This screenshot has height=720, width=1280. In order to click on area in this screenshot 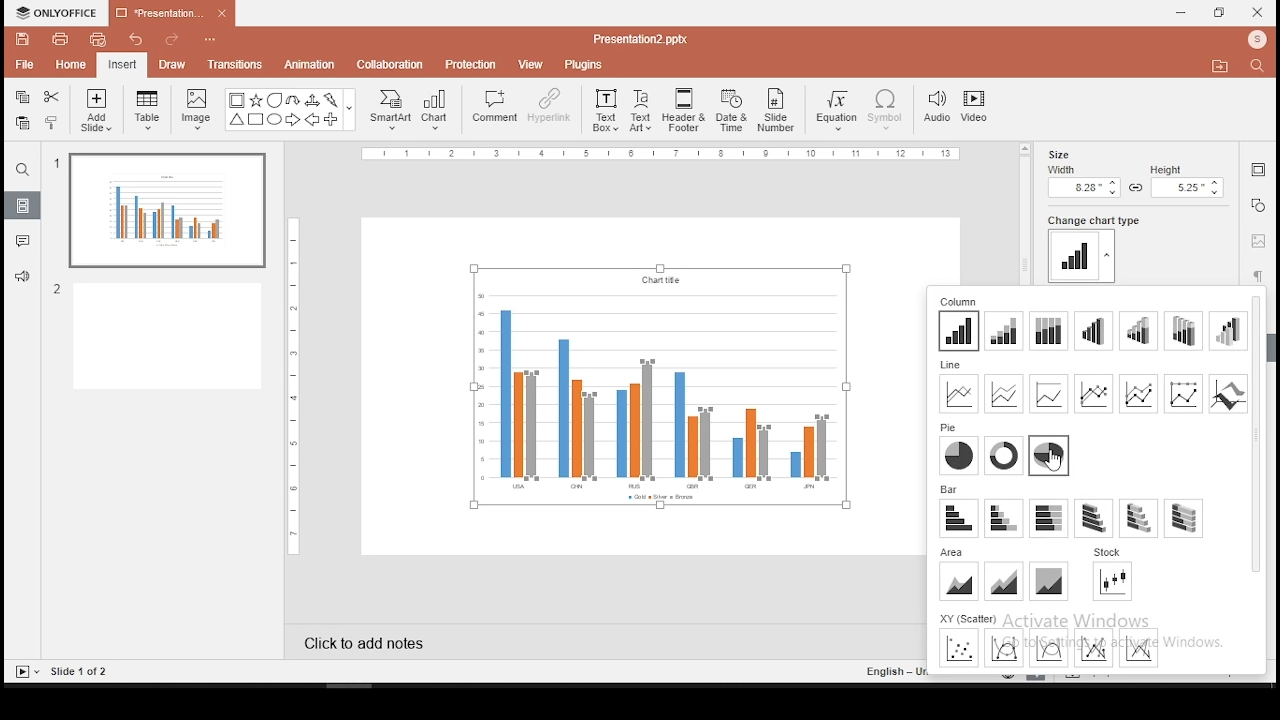, I will do `click(952, 552)`.